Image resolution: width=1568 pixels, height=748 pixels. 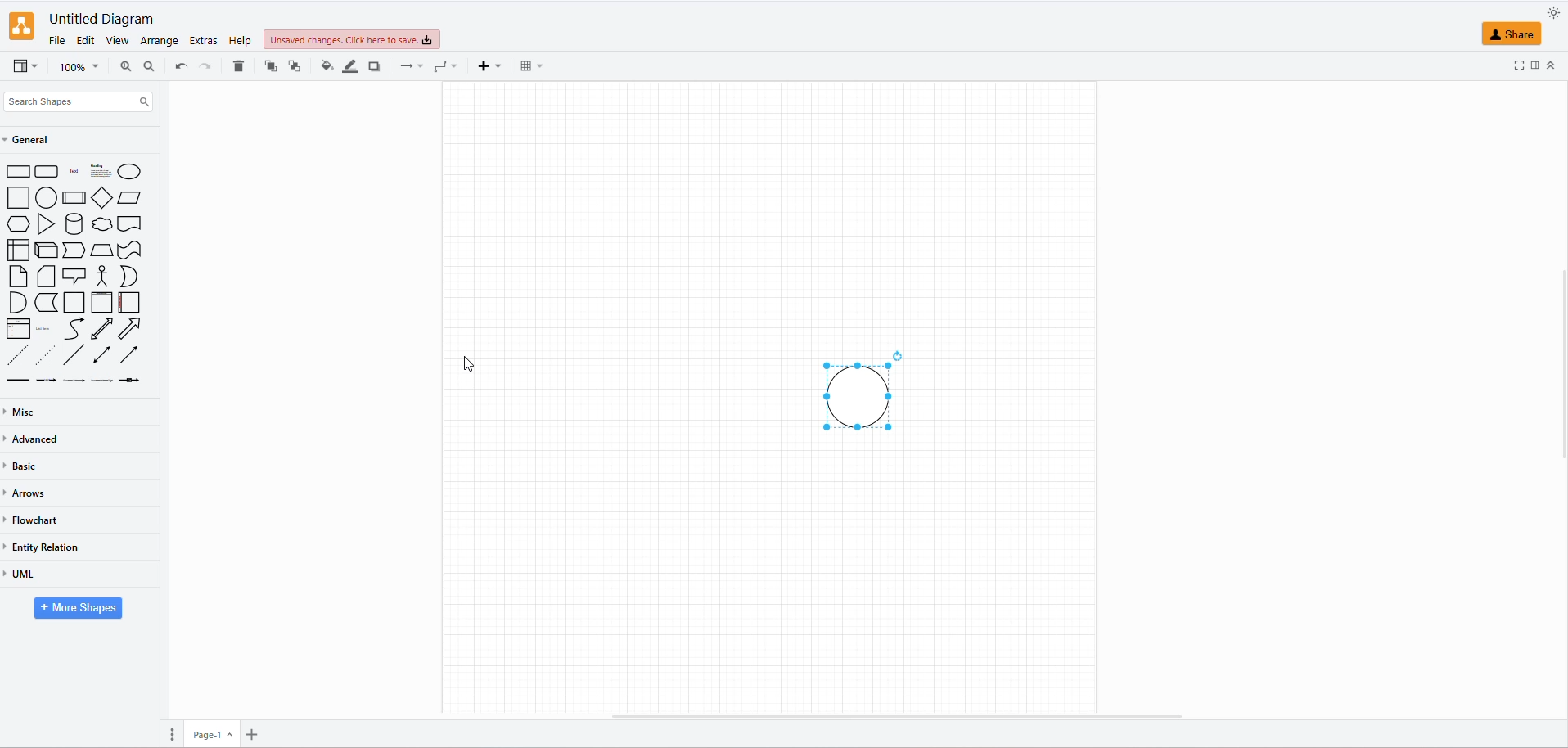 I want to click on CALLOUT, so click(x=74, y=277).